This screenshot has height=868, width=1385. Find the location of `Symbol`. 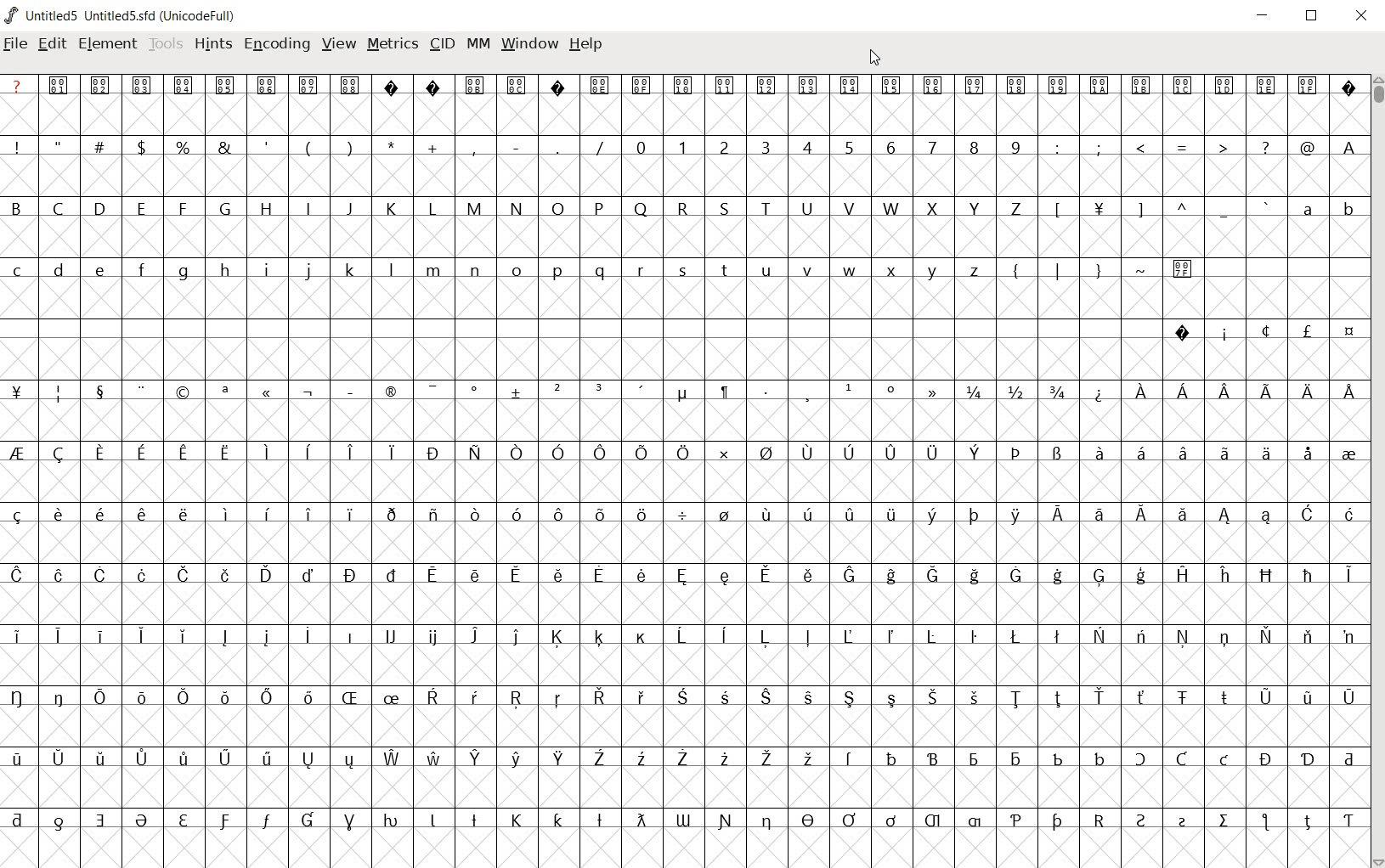

Symbol is located at coordinates (1016, 454).